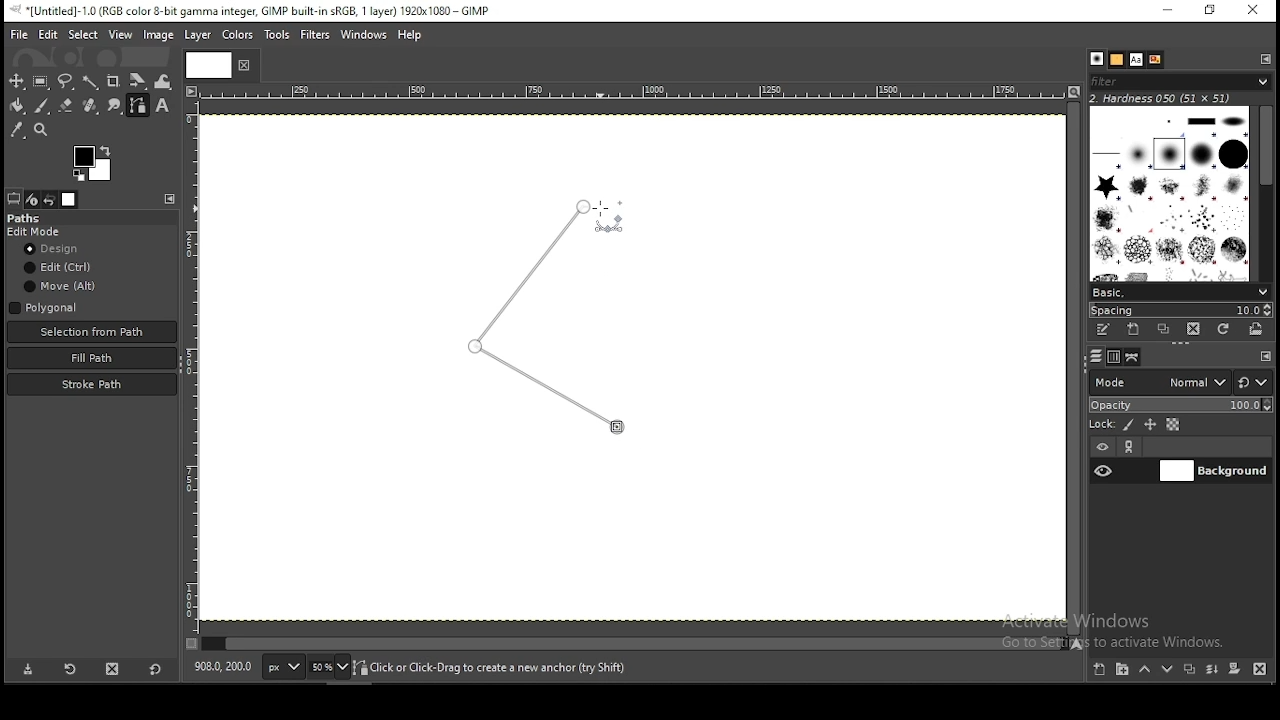  I want to click on fuzzy selection tool, so click(90, 81).